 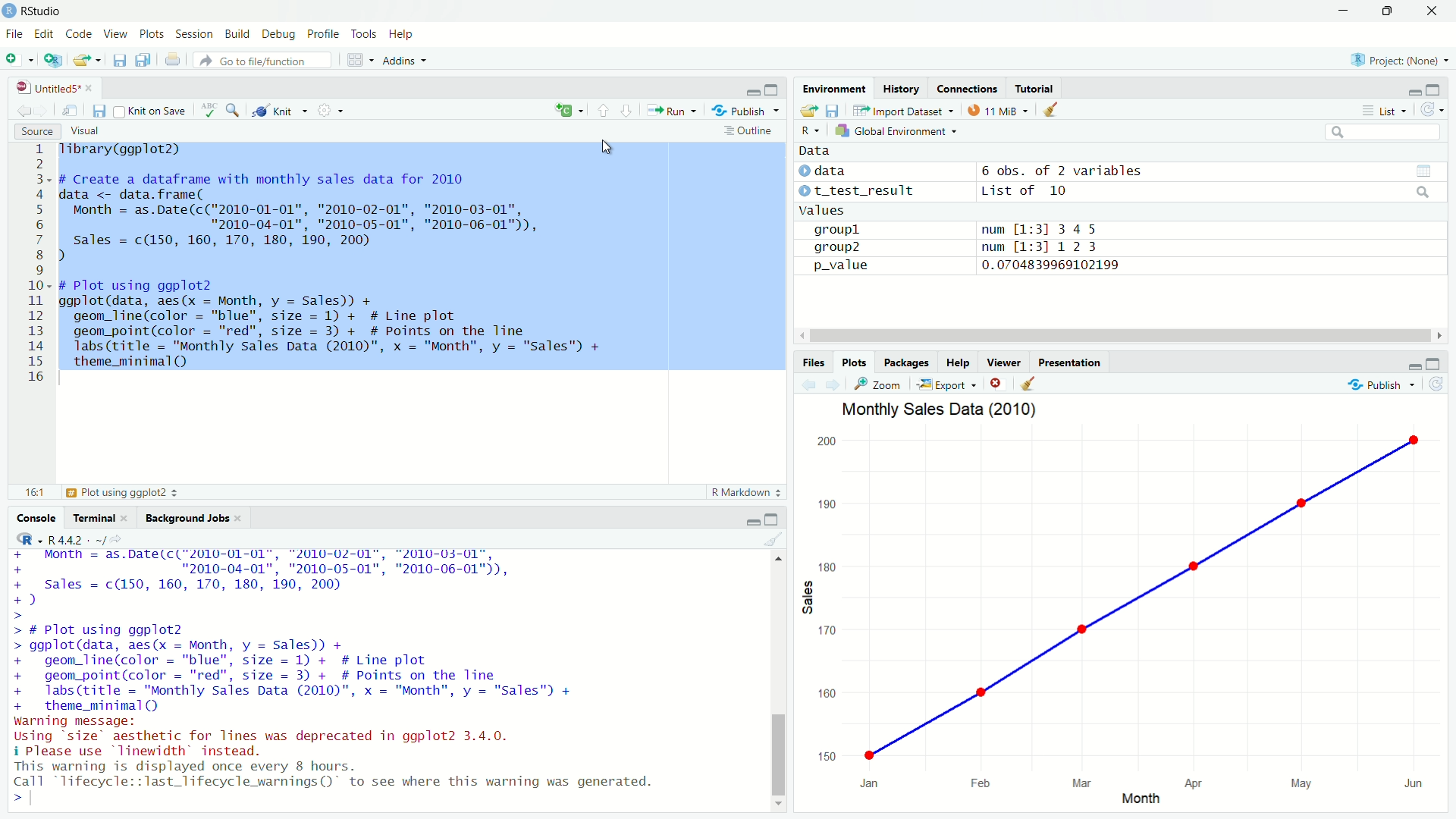 I want to click on Connections., so click(x=967, y=88).